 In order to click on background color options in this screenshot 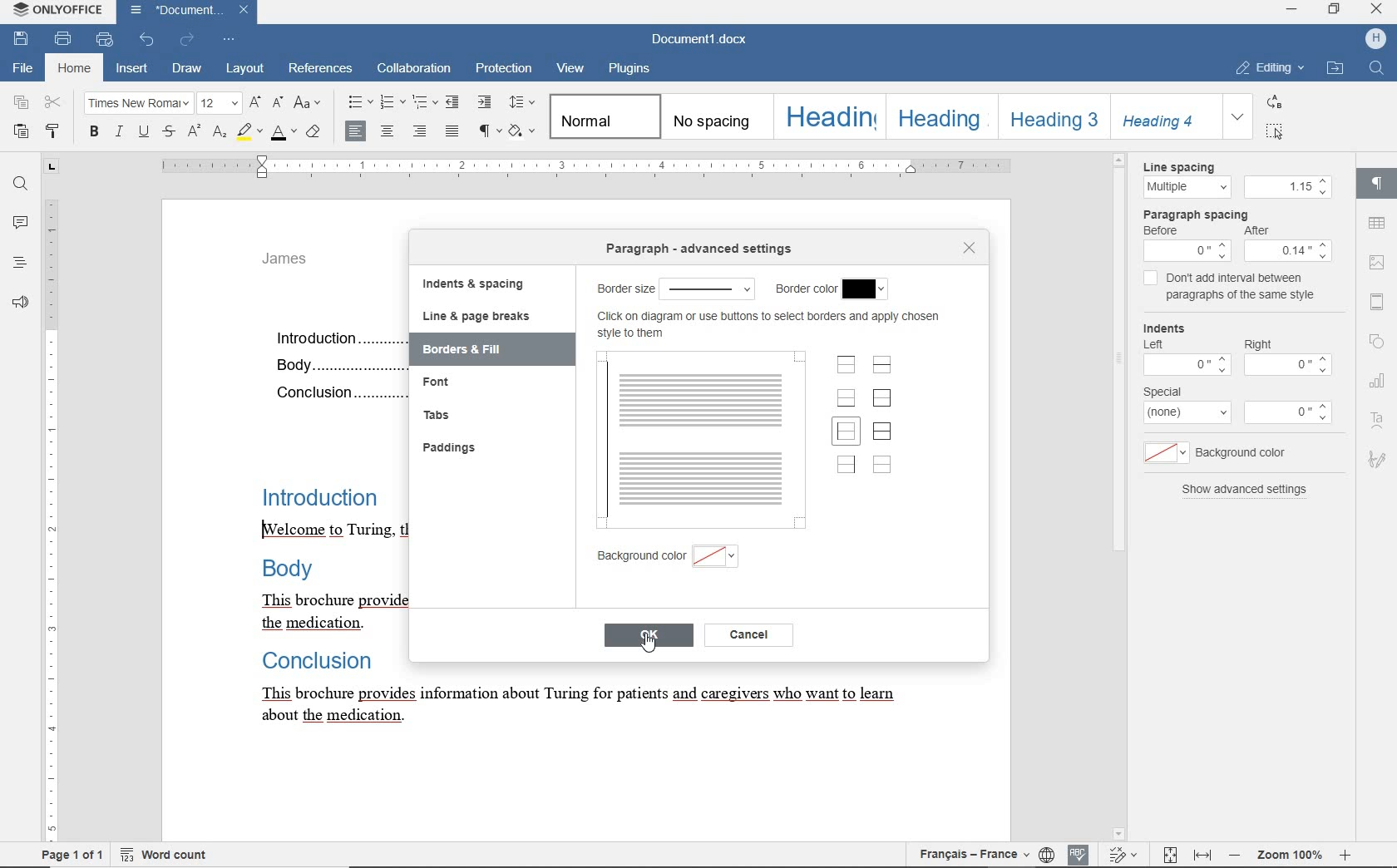, I will do `click(717, 559)`.